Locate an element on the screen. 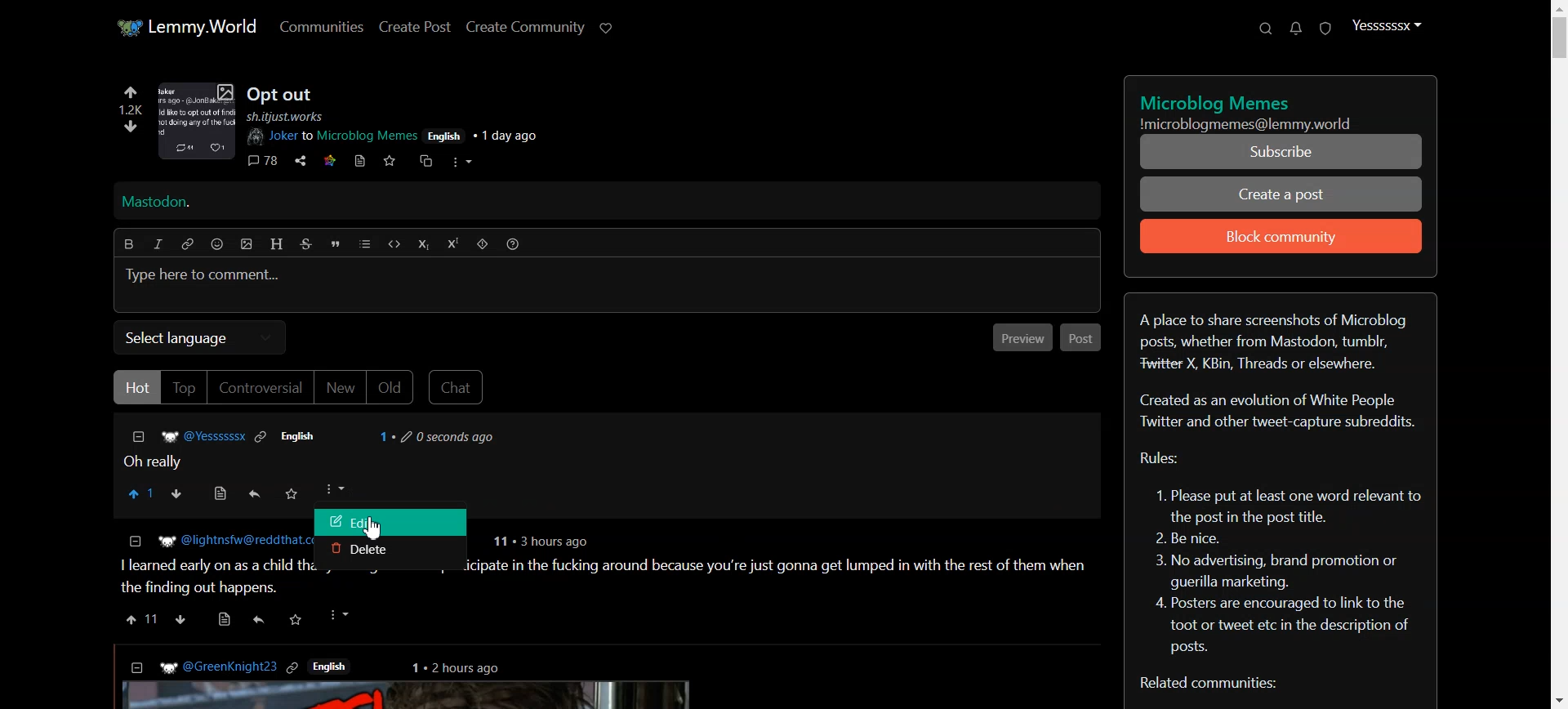 This screenshot has height=709, width=1568. Superscript is located at coordinates (453, 244).